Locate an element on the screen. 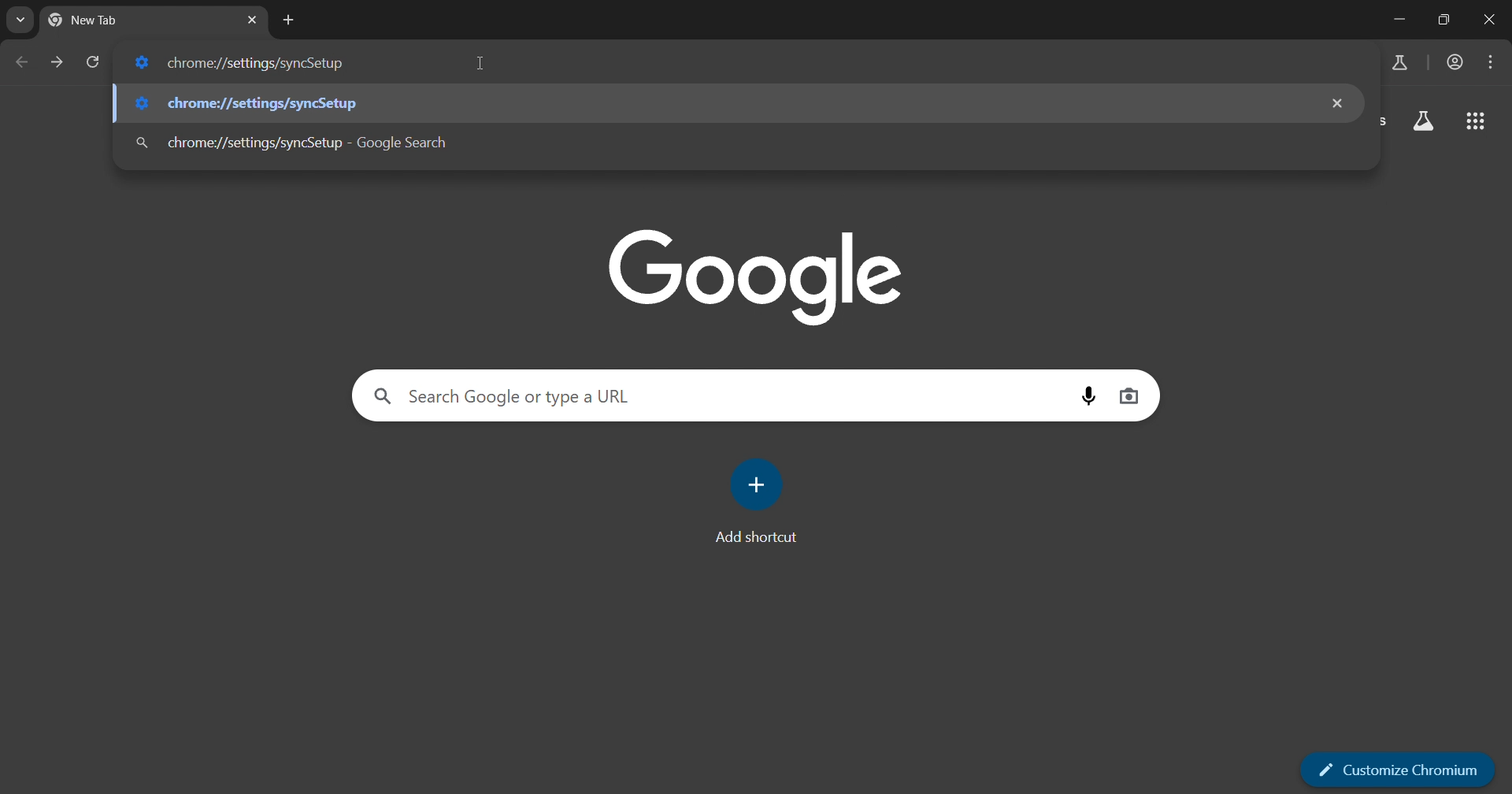  Customize chrome is located at coordinates (1394, 769).